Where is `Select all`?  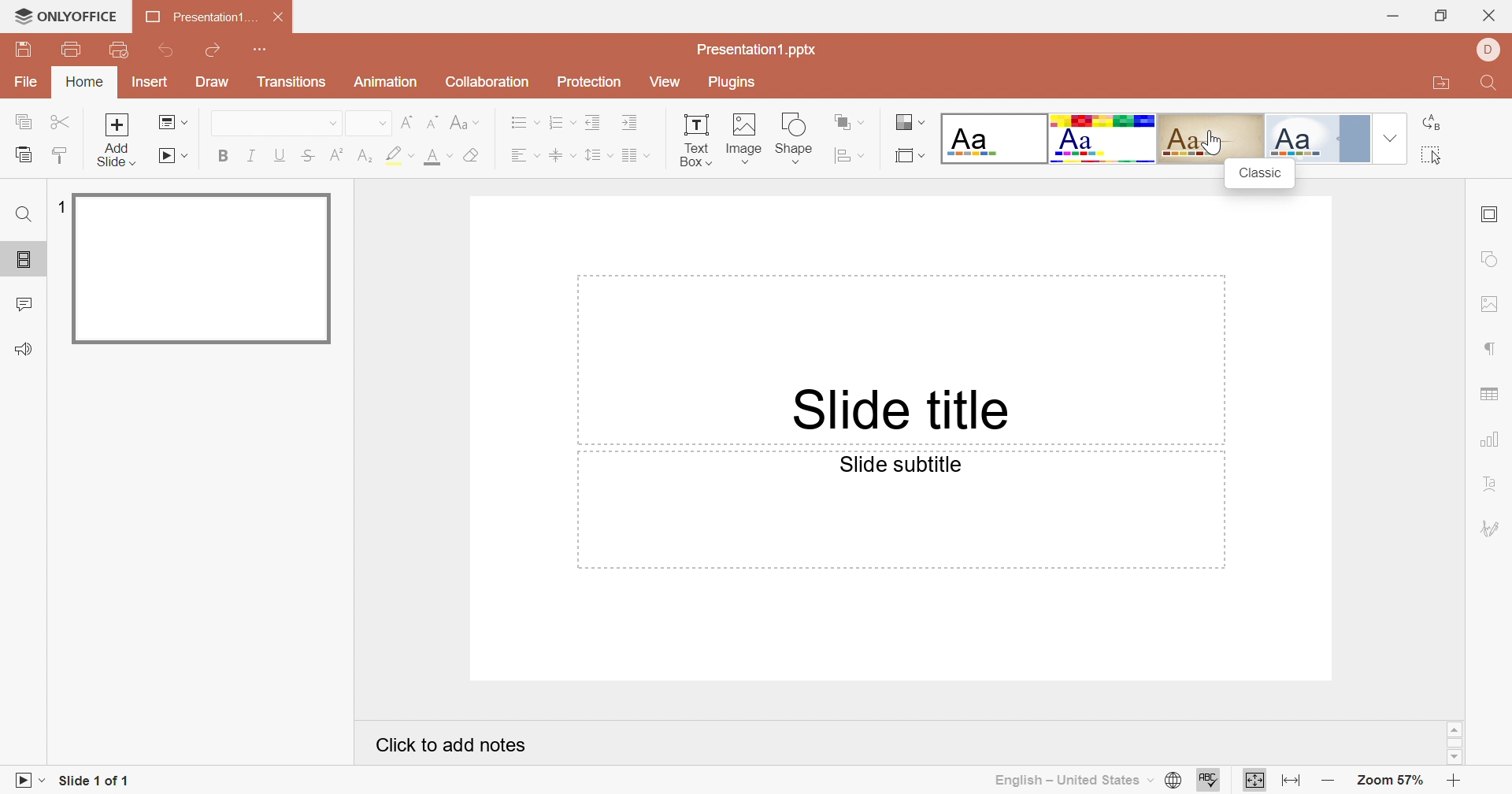 Select all is located at coordinates (1431, 155).